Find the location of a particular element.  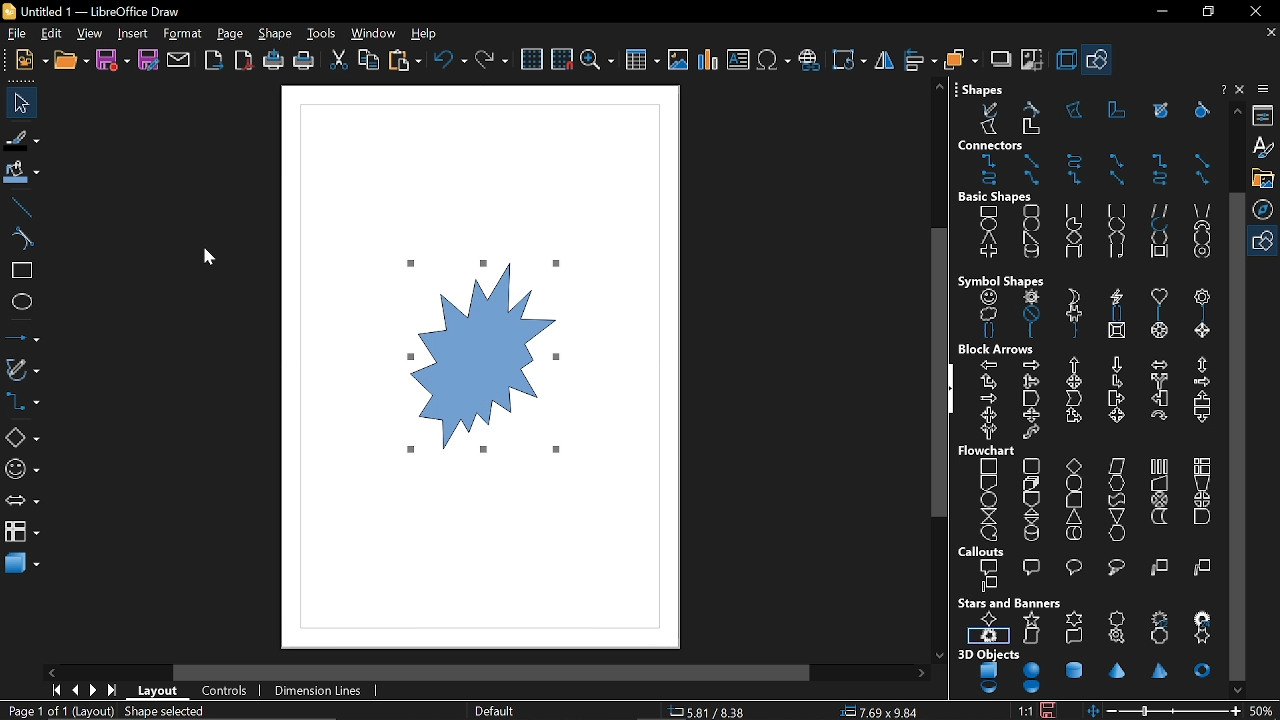

select is located at coordinates (18, 103).